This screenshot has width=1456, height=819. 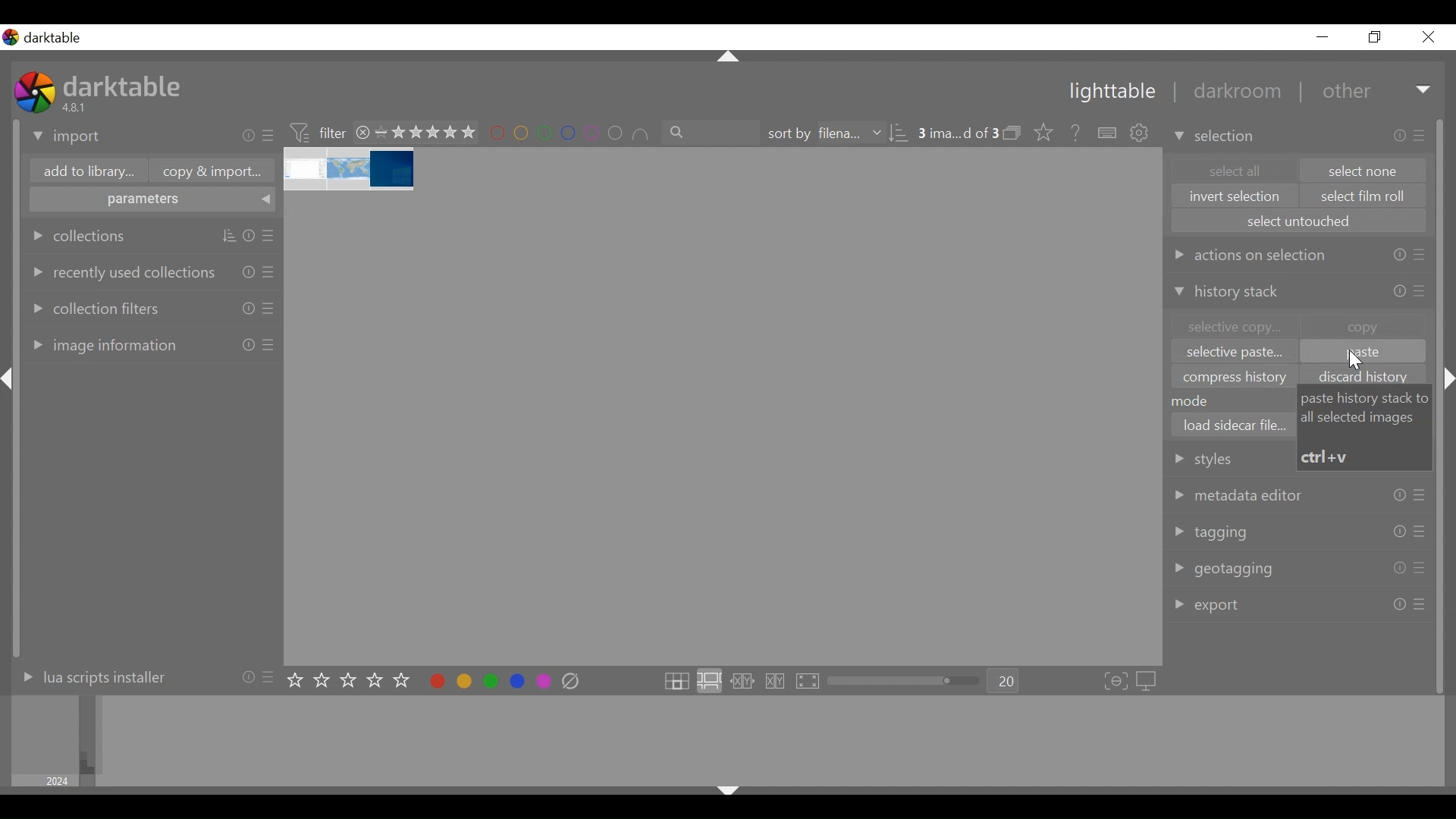 I want to click on mode, so click(x=1197, y=400).